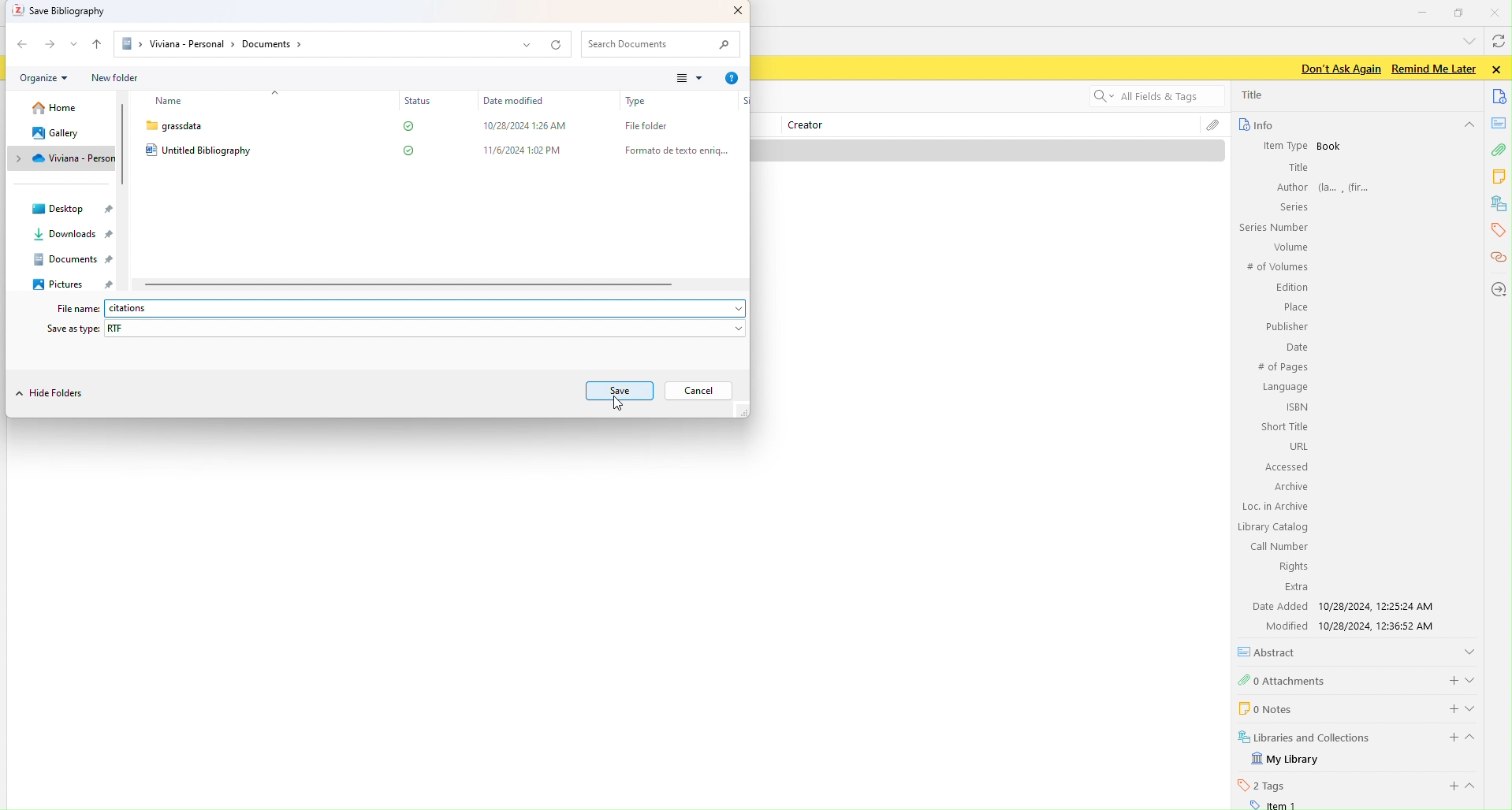 Image resolution: width=1512 pixels, height=810 pixels. Describe the element at coordinates (1497, 43) in the screenshot. I see `refresh ` at that location.